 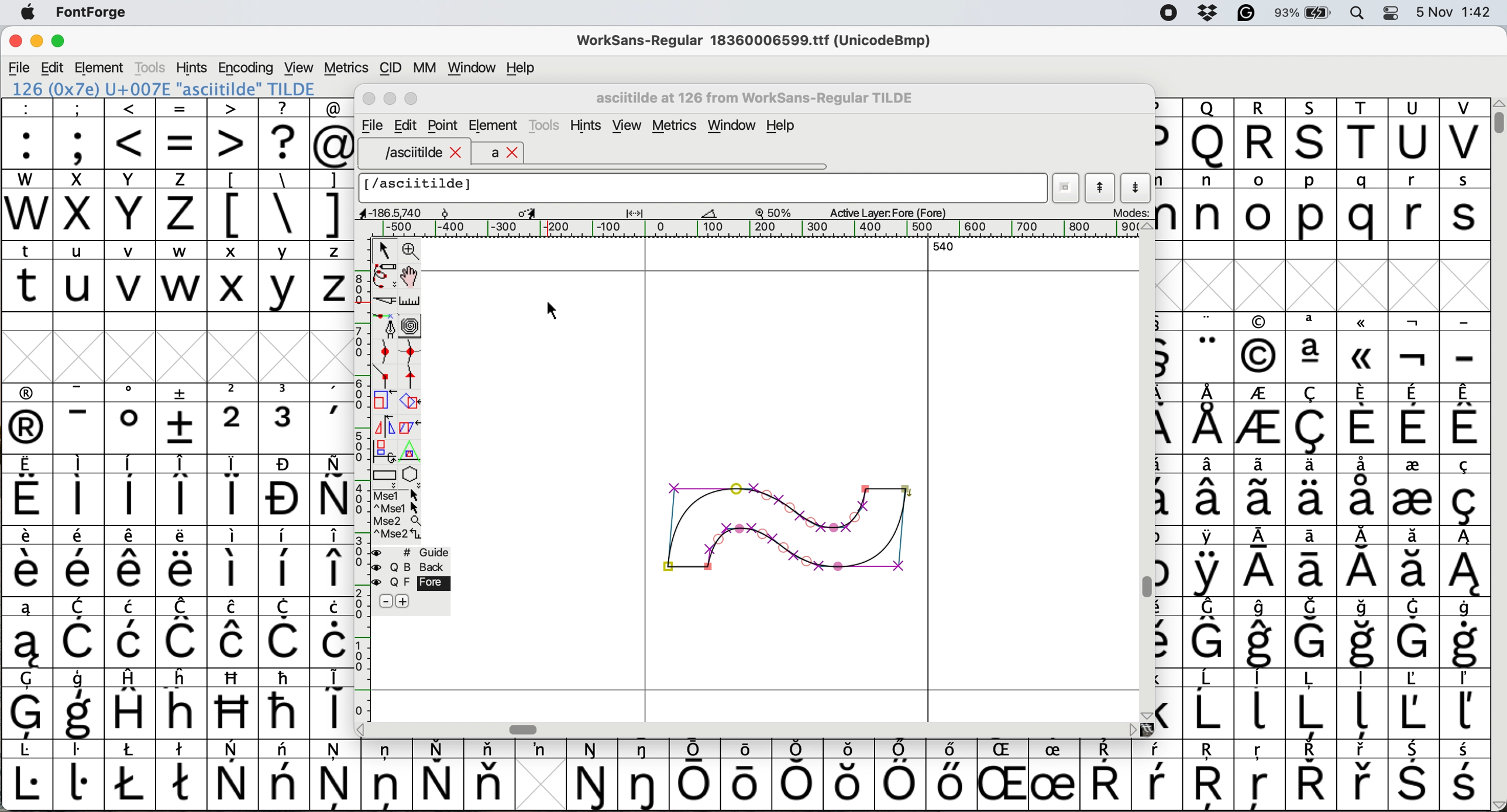 What do you see at coordinates (1463, 490) in the screenshot?
I see `symbol` at bounding box center [1463, 490].